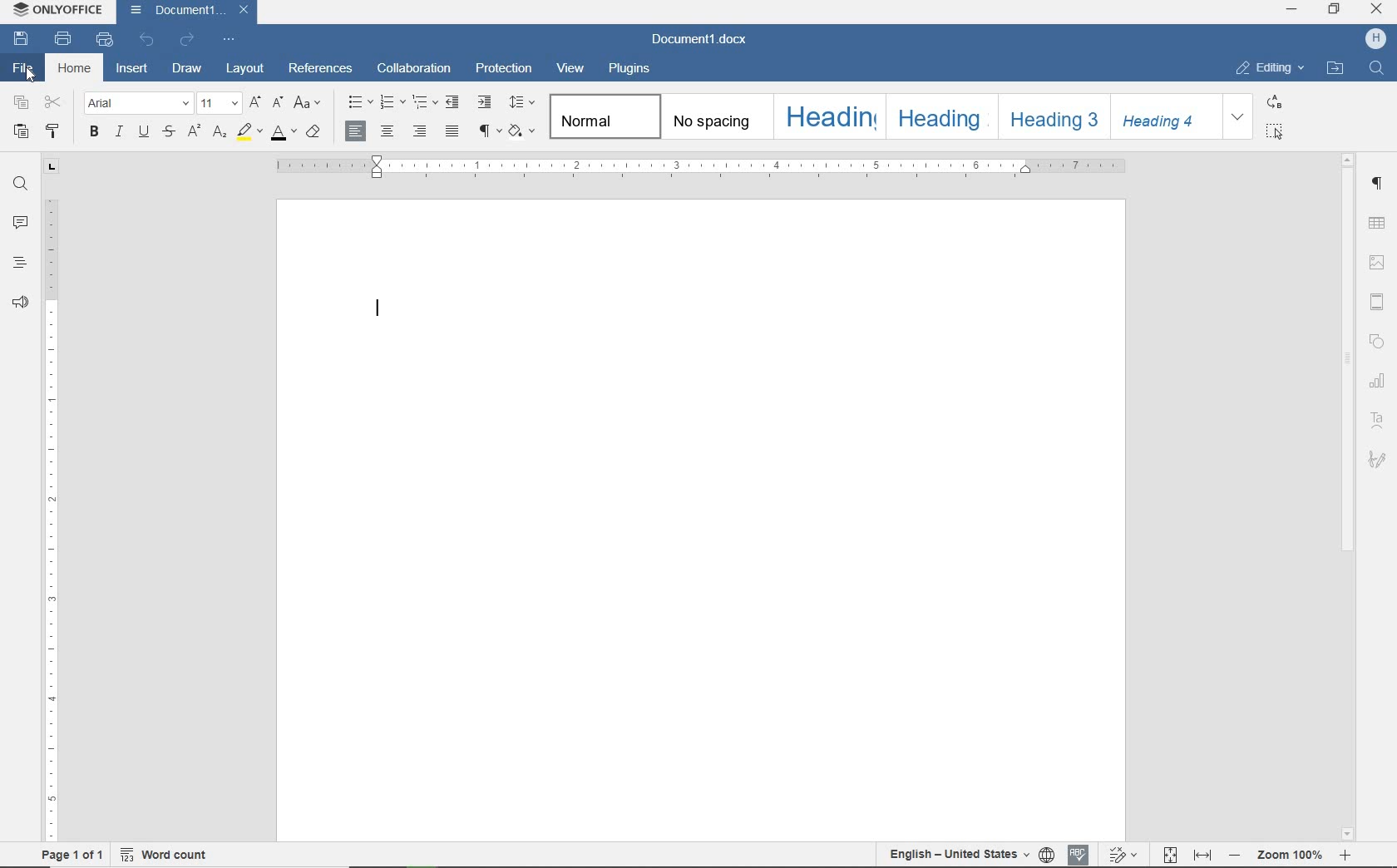  Describe the element at coordinates (64, 39) in the screenshot. I see `print` at that location.